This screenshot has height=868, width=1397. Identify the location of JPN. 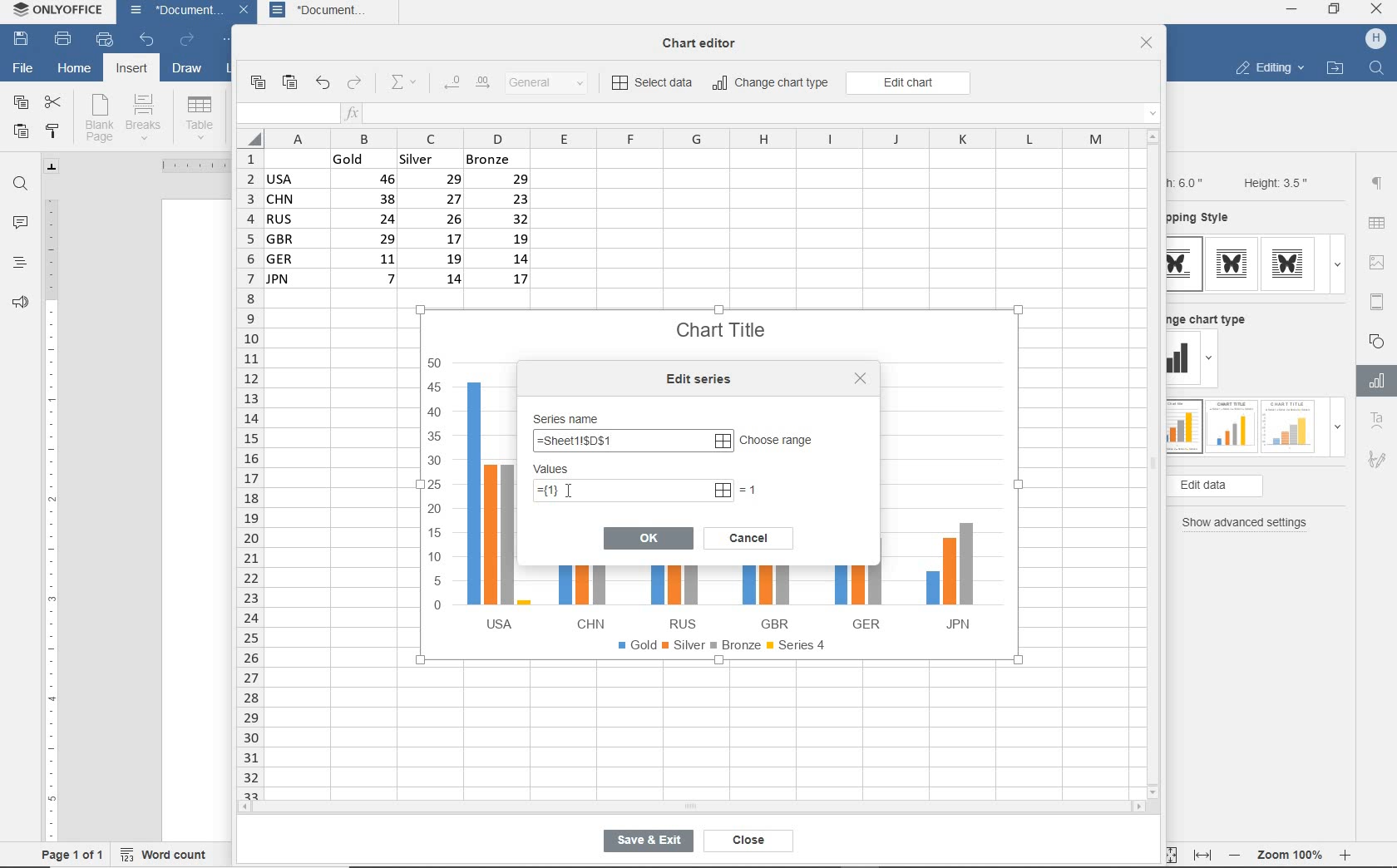
(945, 579).